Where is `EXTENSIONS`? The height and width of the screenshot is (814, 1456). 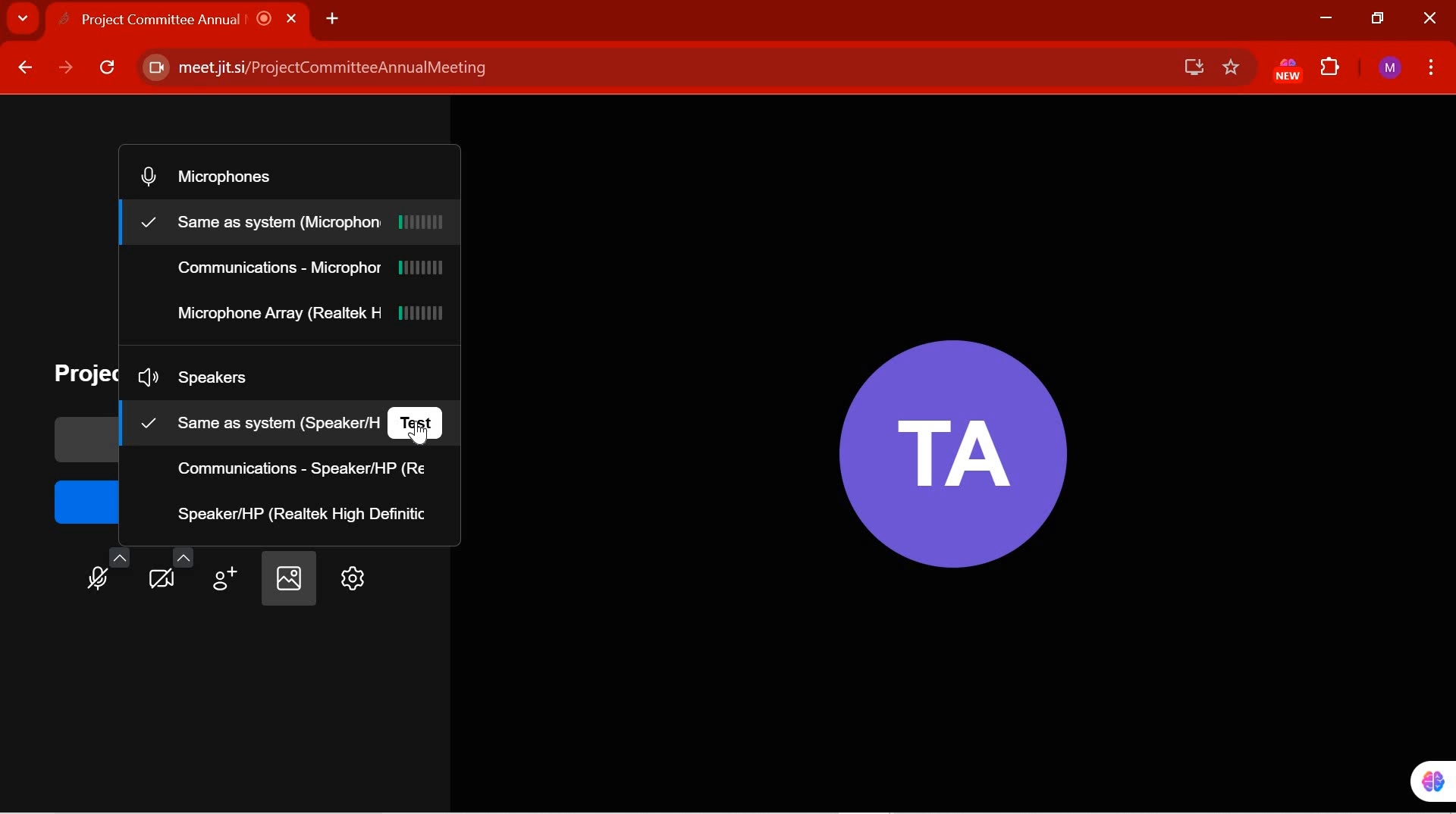 EXTENSIONS is located at coordinates (1332, 69).